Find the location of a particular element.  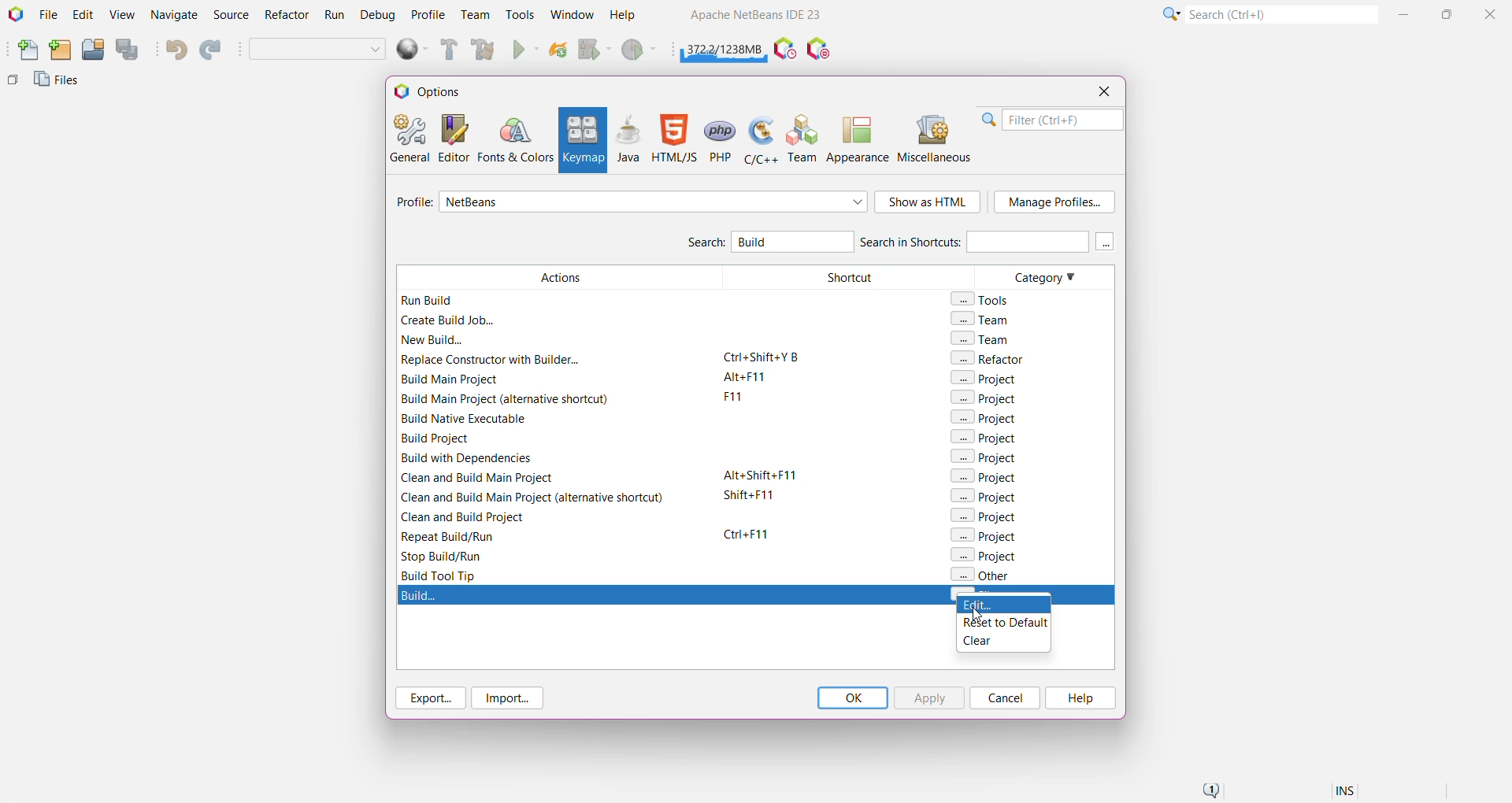

Search is located at coordinates (705, 244).